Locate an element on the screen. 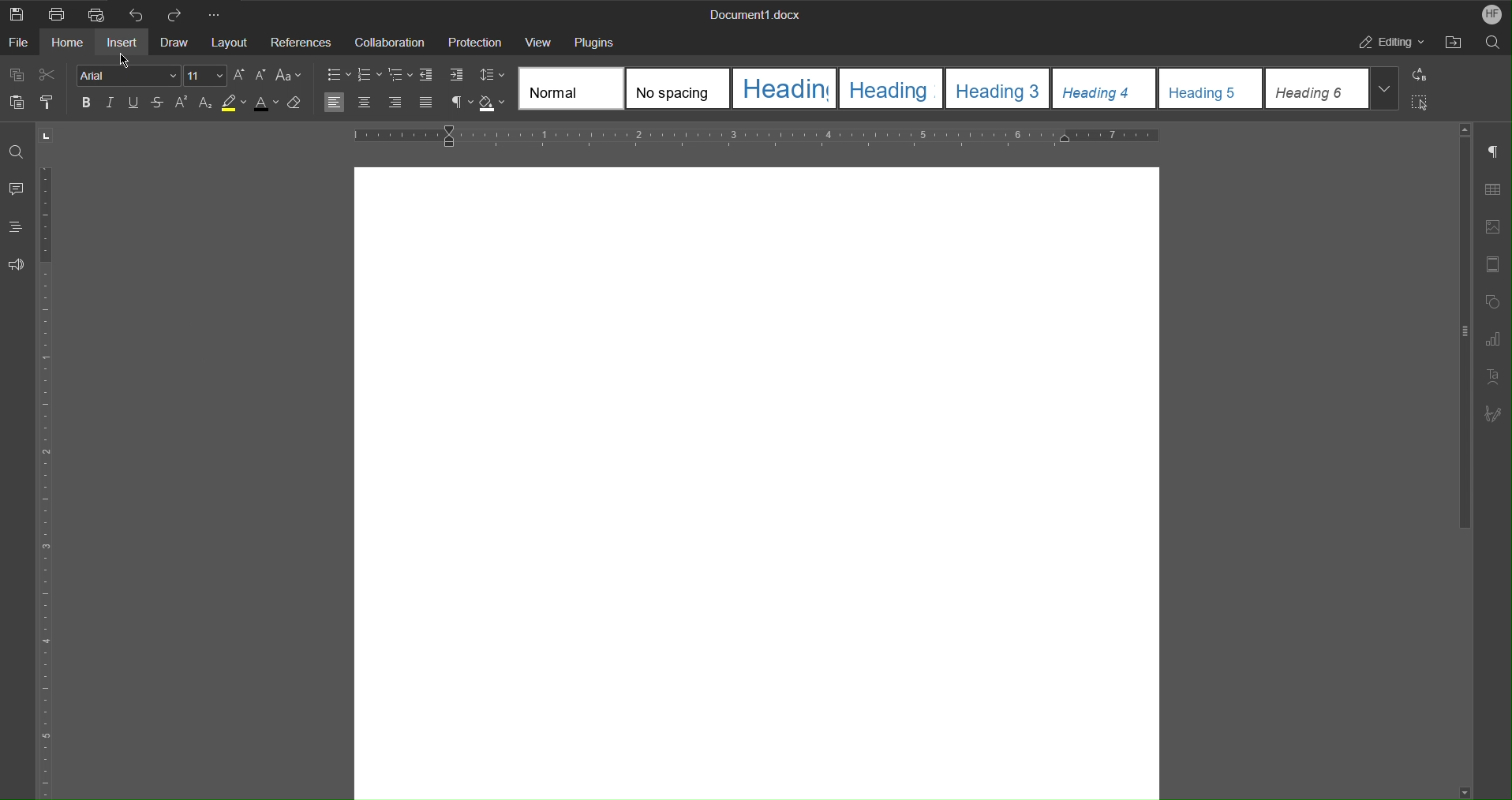 This screenshot has height=800, width=1512. Account is located at coordinates (1490, 13).